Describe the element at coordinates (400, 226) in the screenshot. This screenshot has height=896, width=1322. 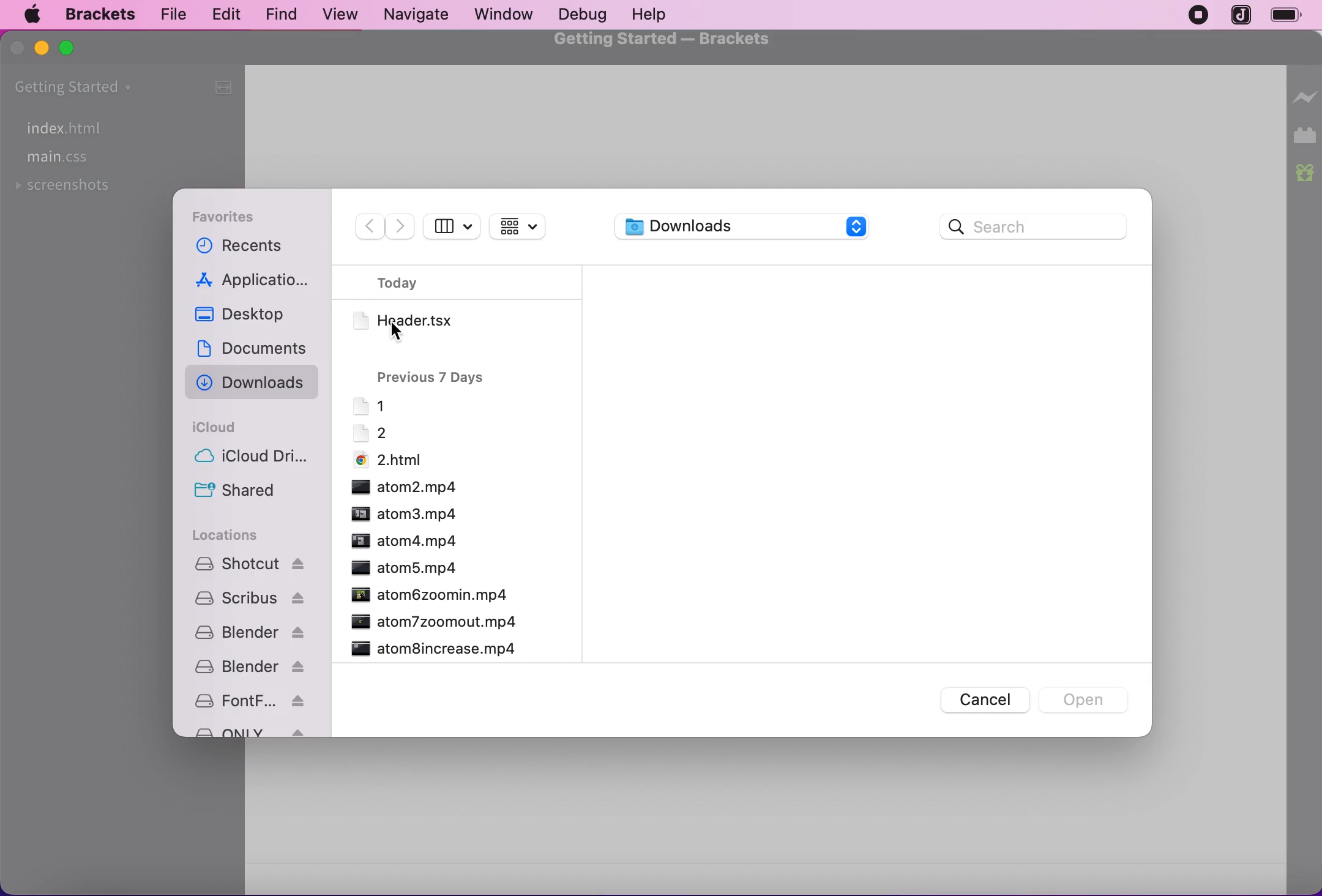
I see `forward` at that location.